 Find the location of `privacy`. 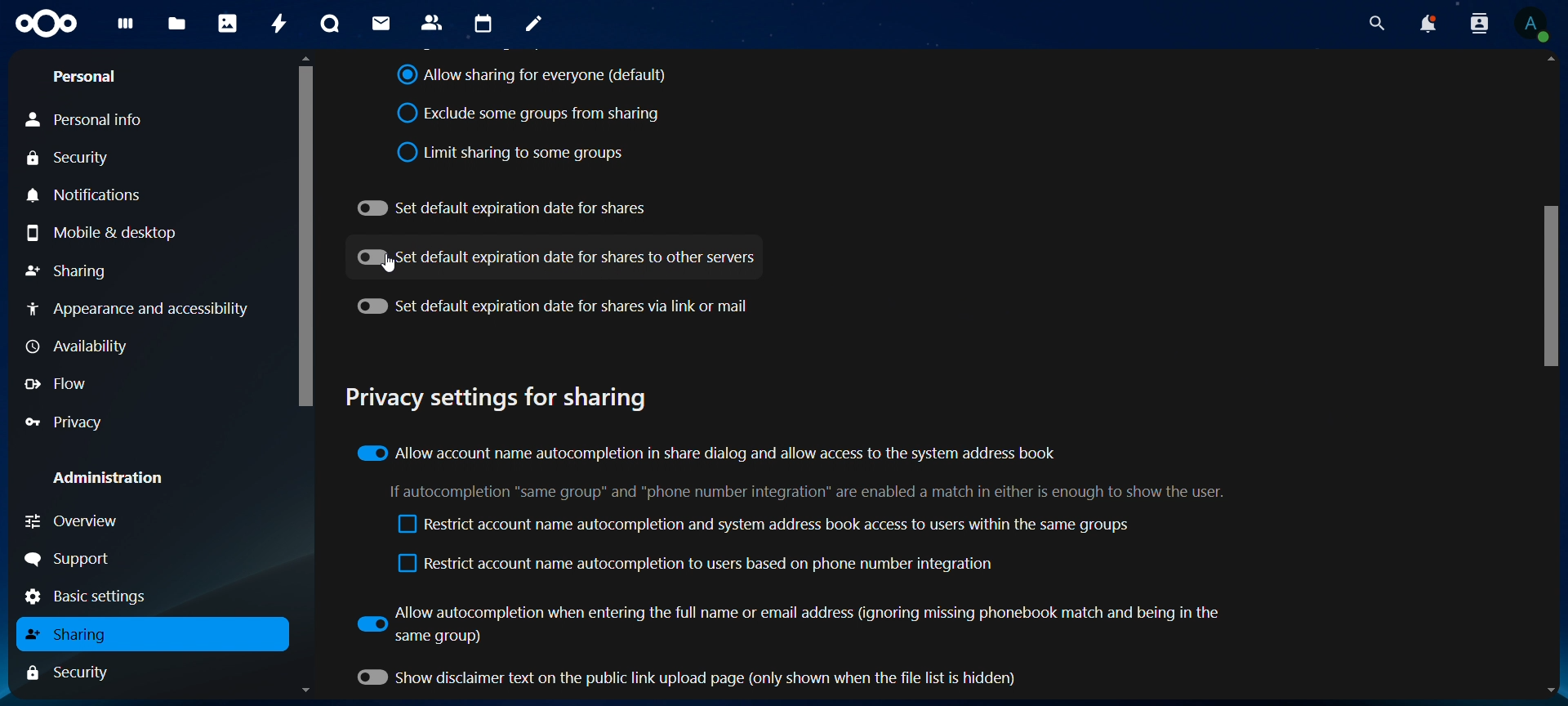

privacy is located at coordinates (68, 422).